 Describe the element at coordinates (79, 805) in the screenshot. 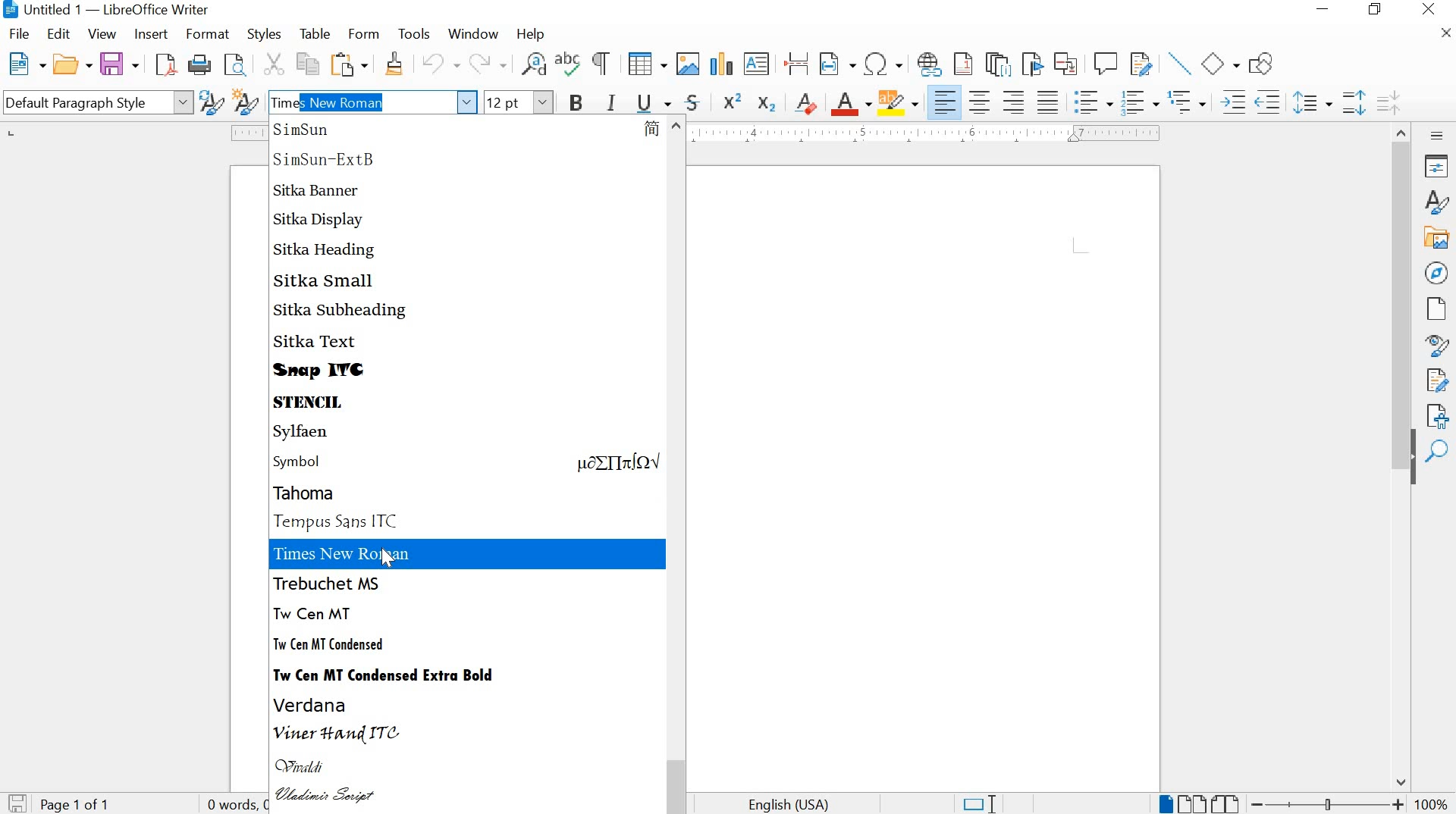

I see `PAGE 1 OF 1` at that location.